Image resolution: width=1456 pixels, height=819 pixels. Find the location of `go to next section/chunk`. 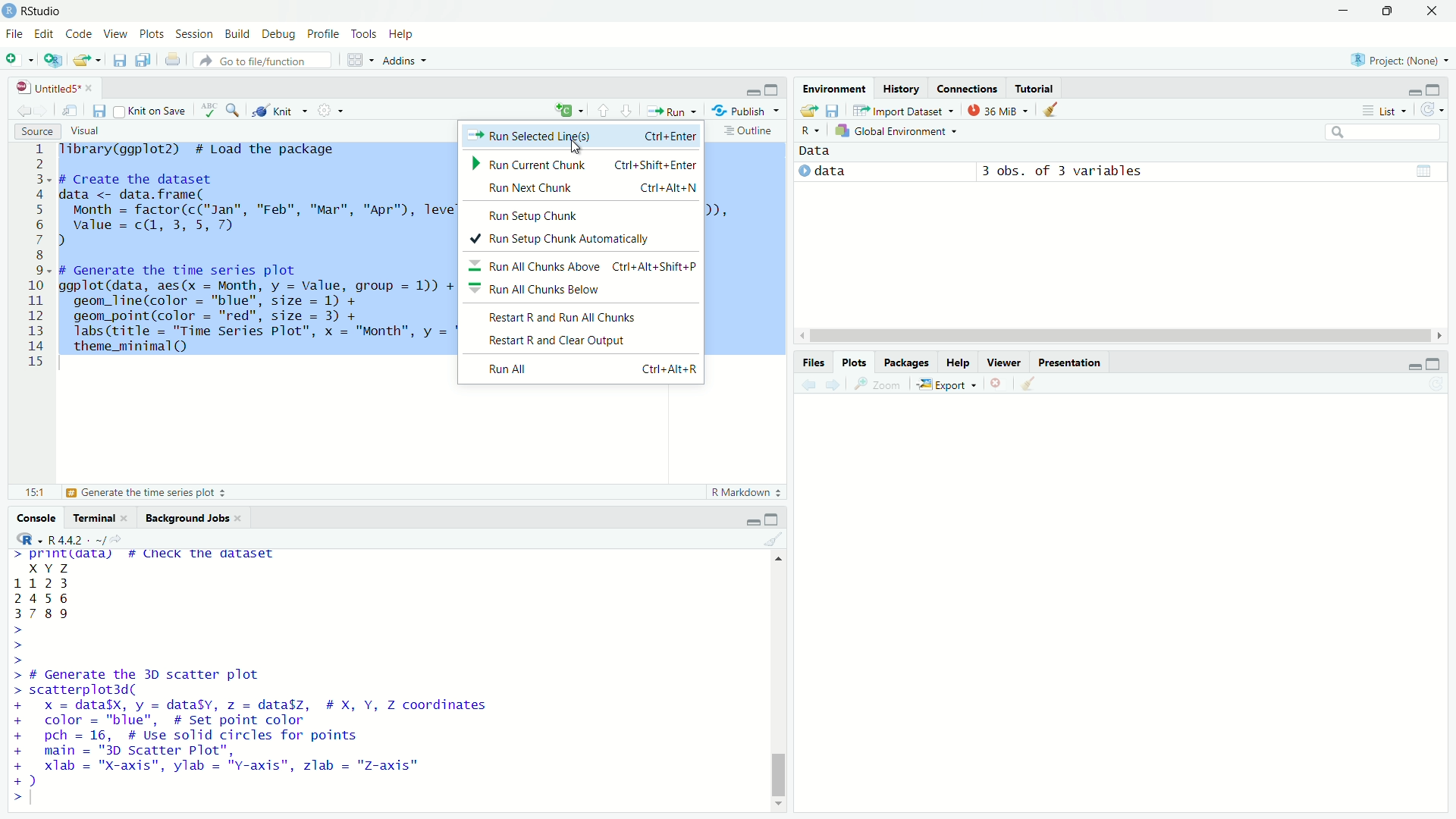

go to next section/chunk is located at coordinates (627, 111).